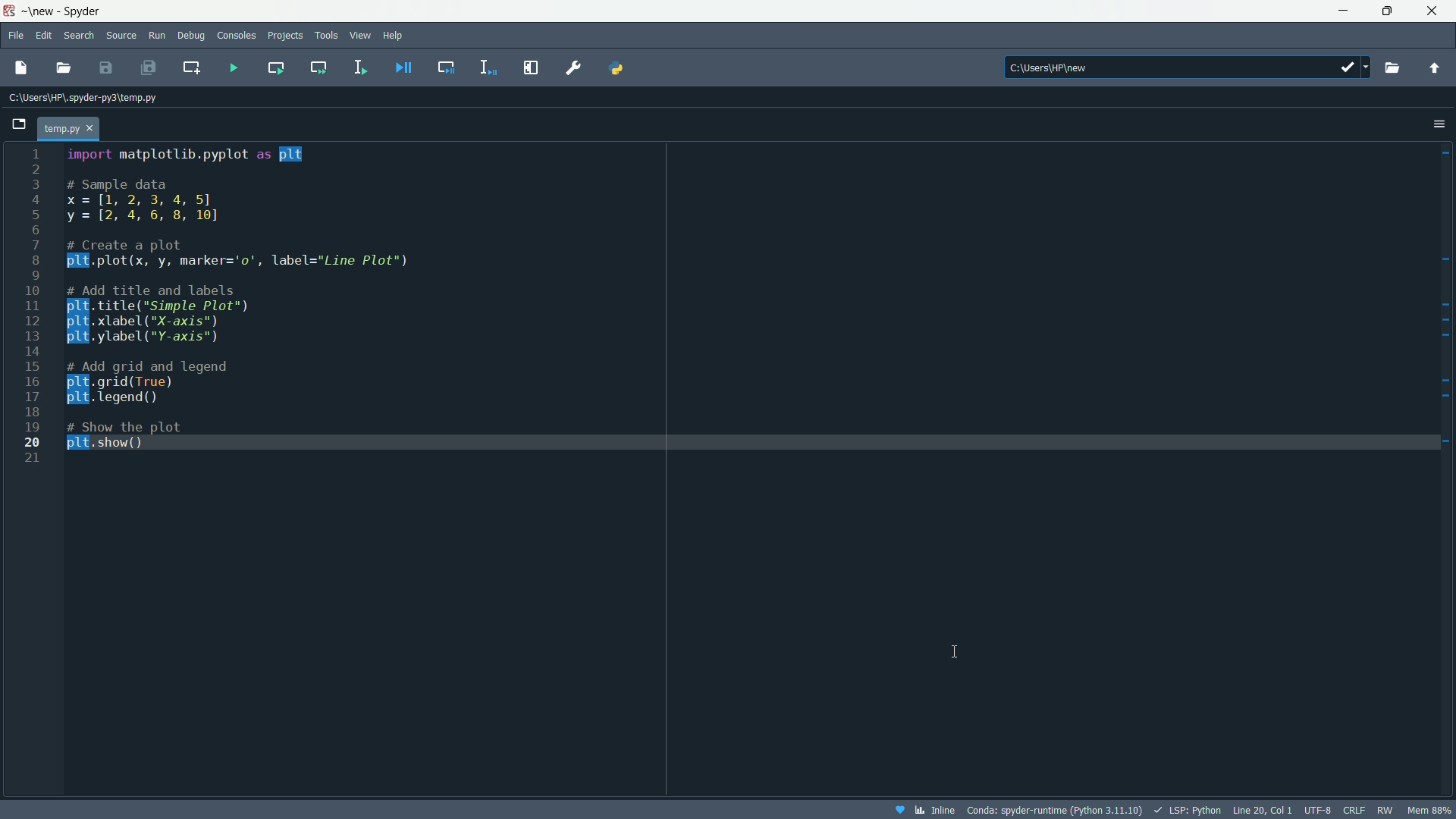 Image resolution: width=1456 pixels, height=819 pixels. I want to click on python path manager, so click(616, 67).